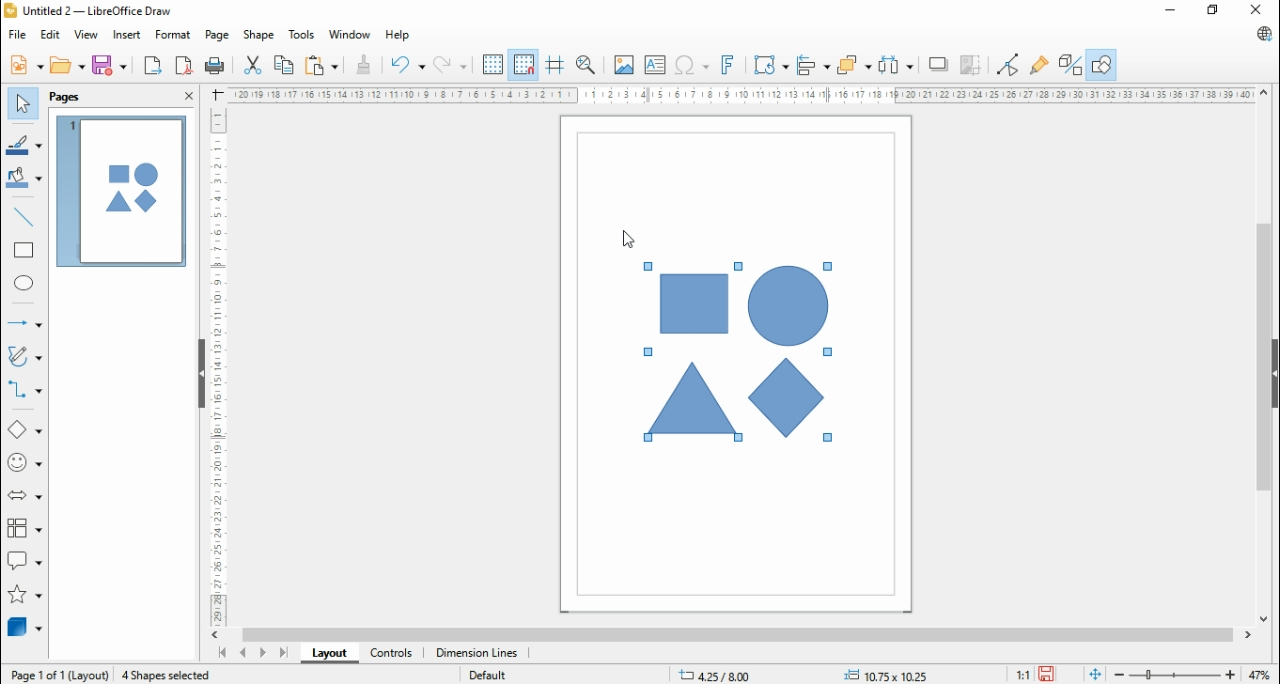 The image size is (1280, 684). Describe the element at coordinates (24, 143) in the screenshot. I see `line color` at that location.